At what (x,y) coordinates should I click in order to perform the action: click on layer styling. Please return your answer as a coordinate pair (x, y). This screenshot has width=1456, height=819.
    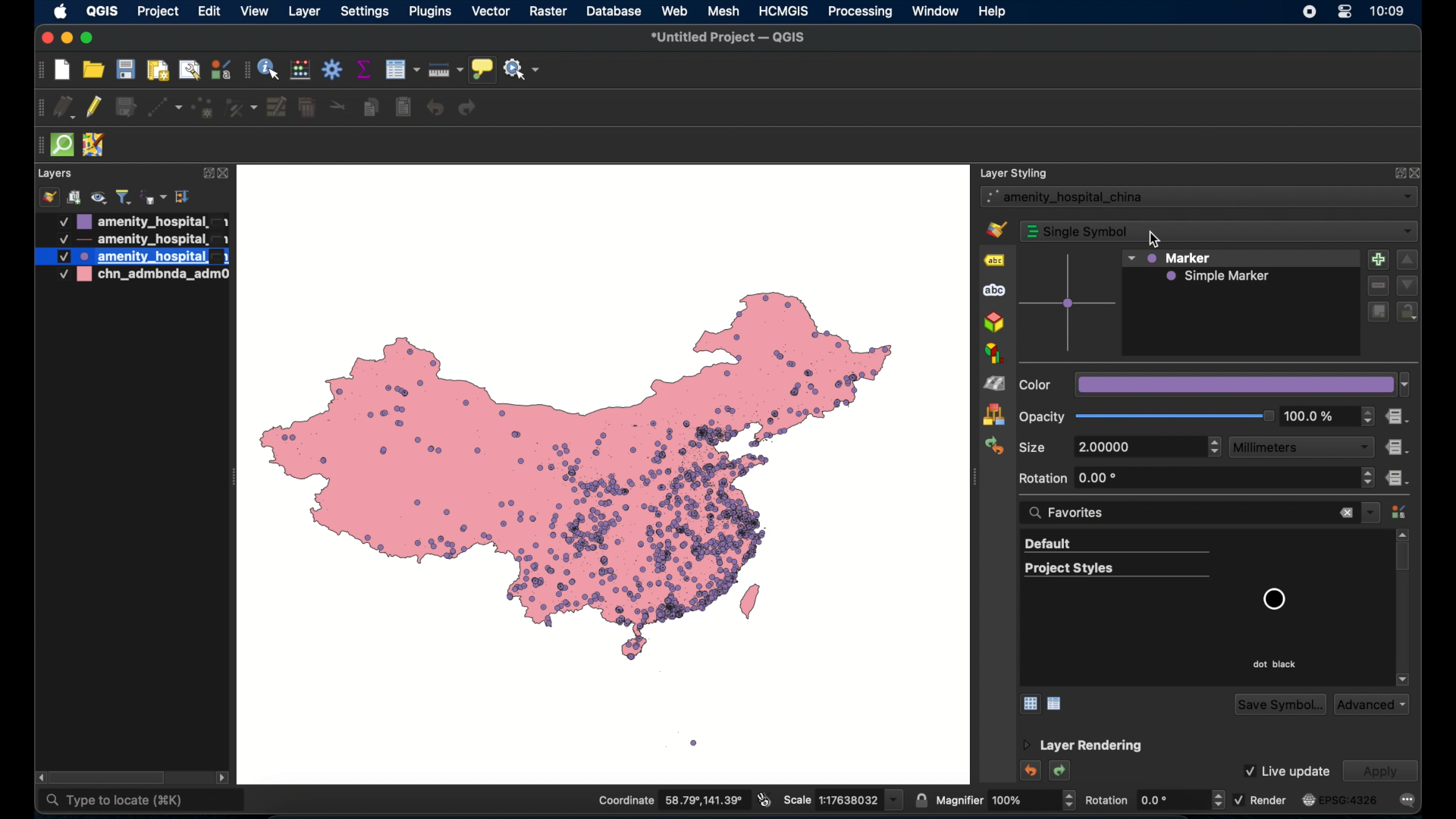
    Looking at the image, I should click on (1015, 172).